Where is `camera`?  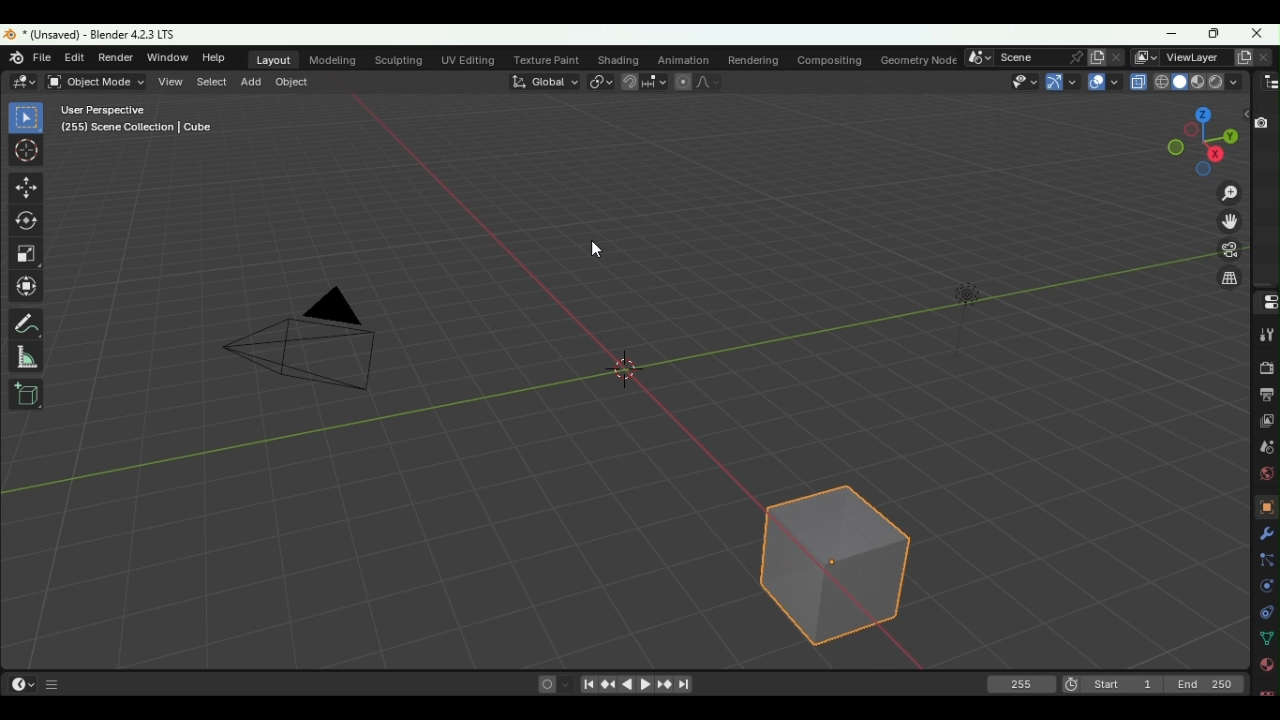 camera is located at coordinates (293, 349).